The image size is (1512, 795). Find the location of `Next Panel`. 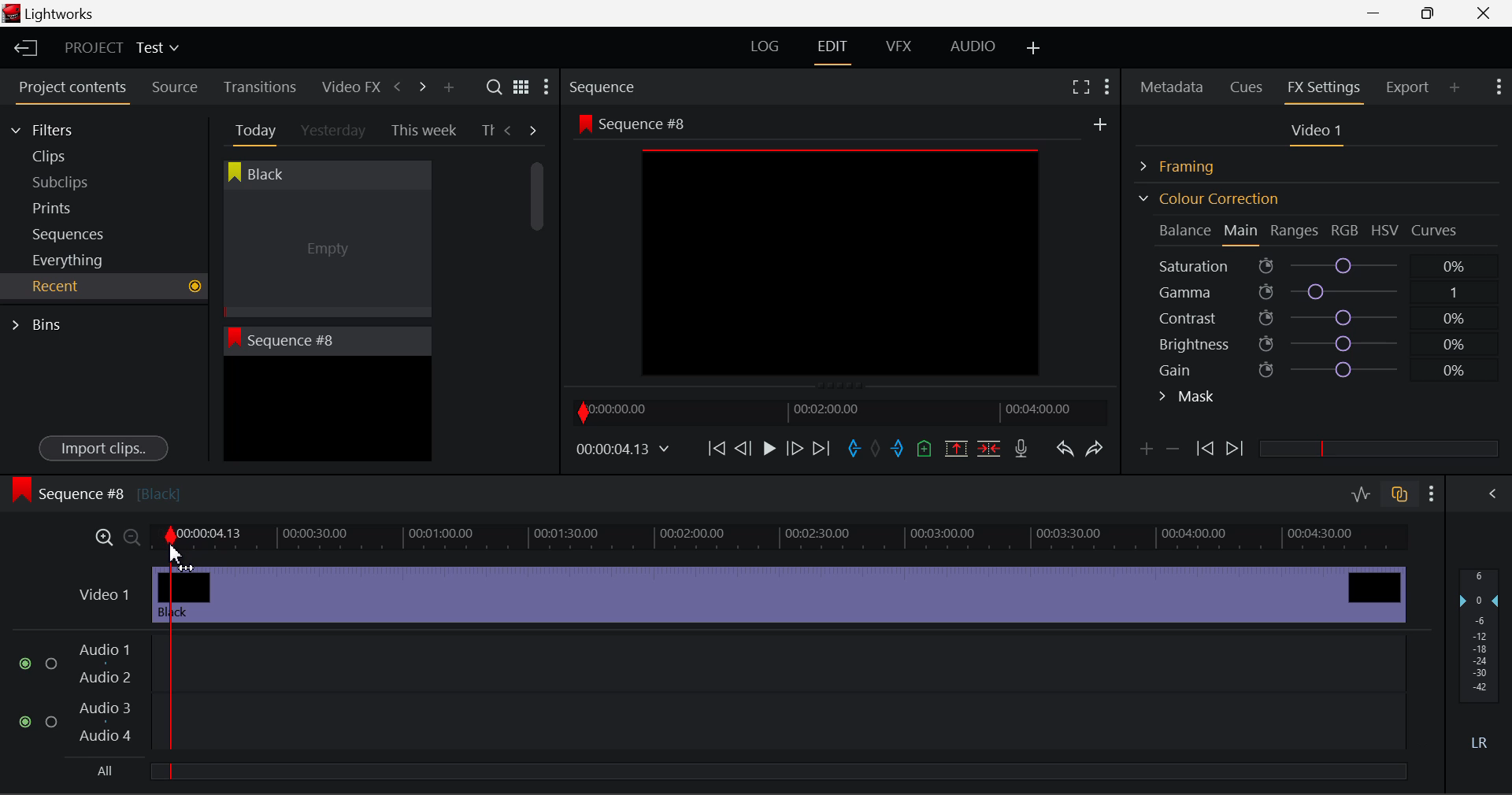

Next Panel is located at coordinates (420, 86).